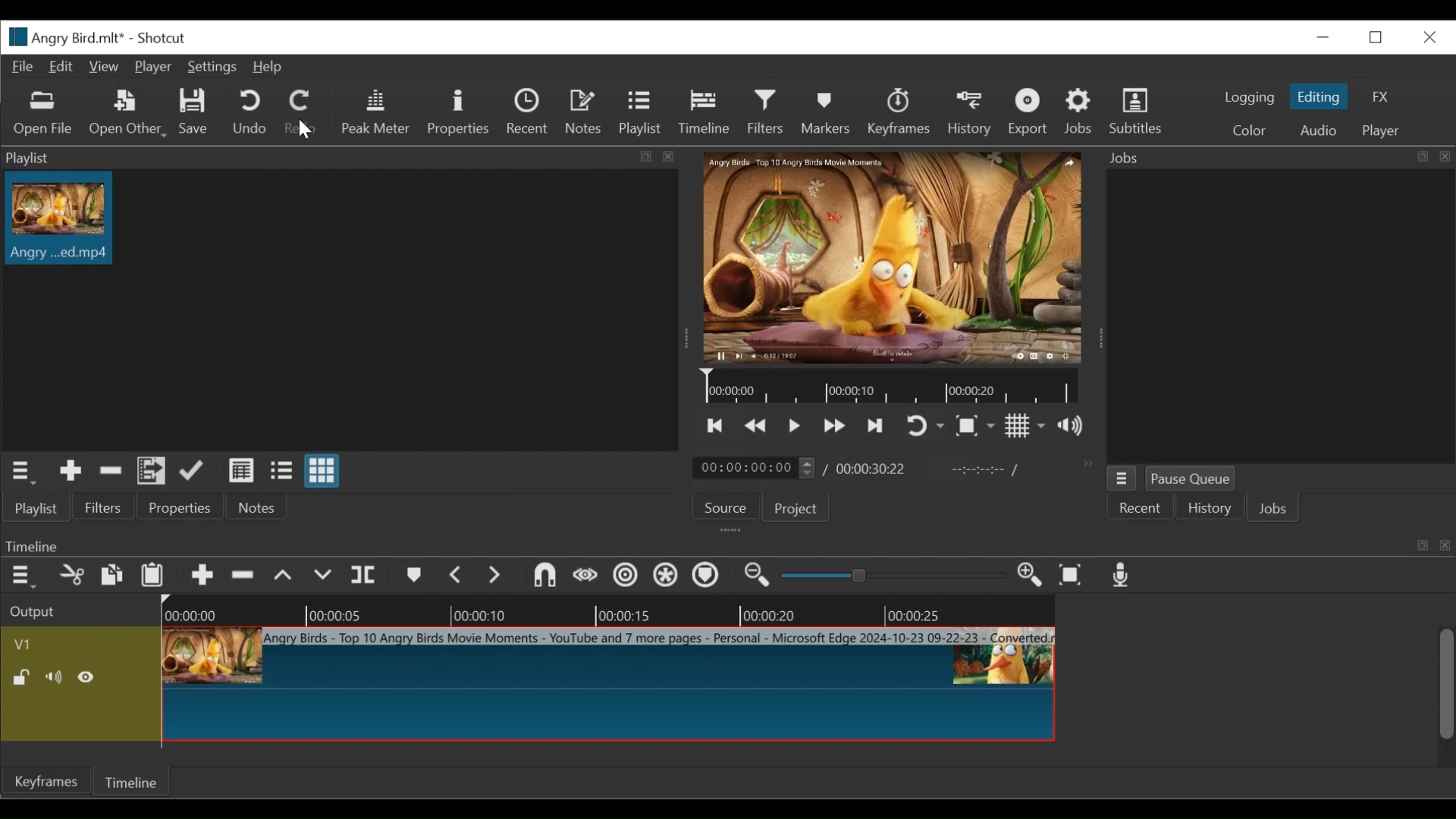 The height and width of the screenshot is (819, 1456). I want to click on Toggle play or pause (space), so click(794, 426).